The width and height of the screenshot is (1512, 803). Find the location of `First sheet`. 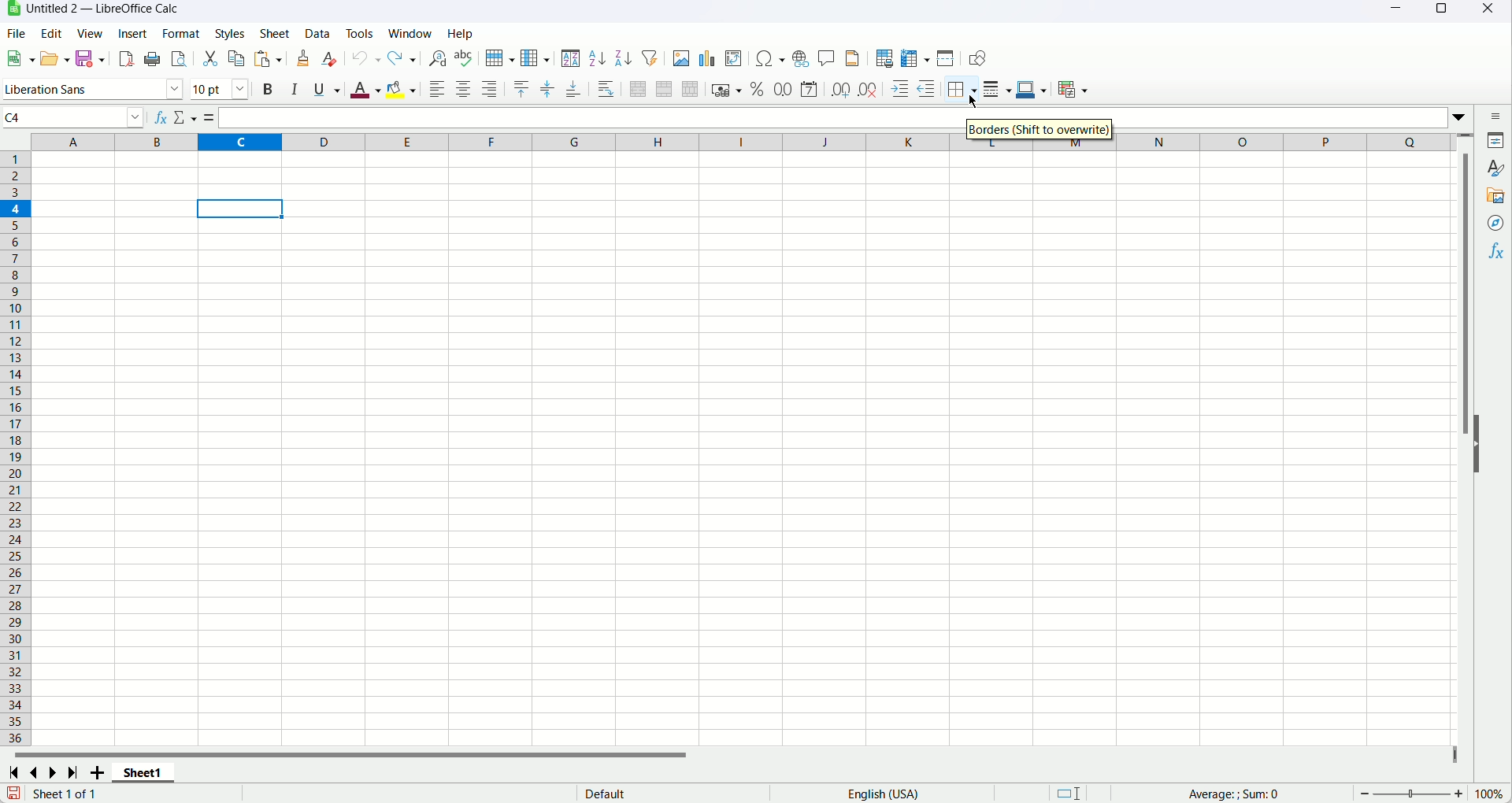

First sheet is located at coordinates (13, 774).